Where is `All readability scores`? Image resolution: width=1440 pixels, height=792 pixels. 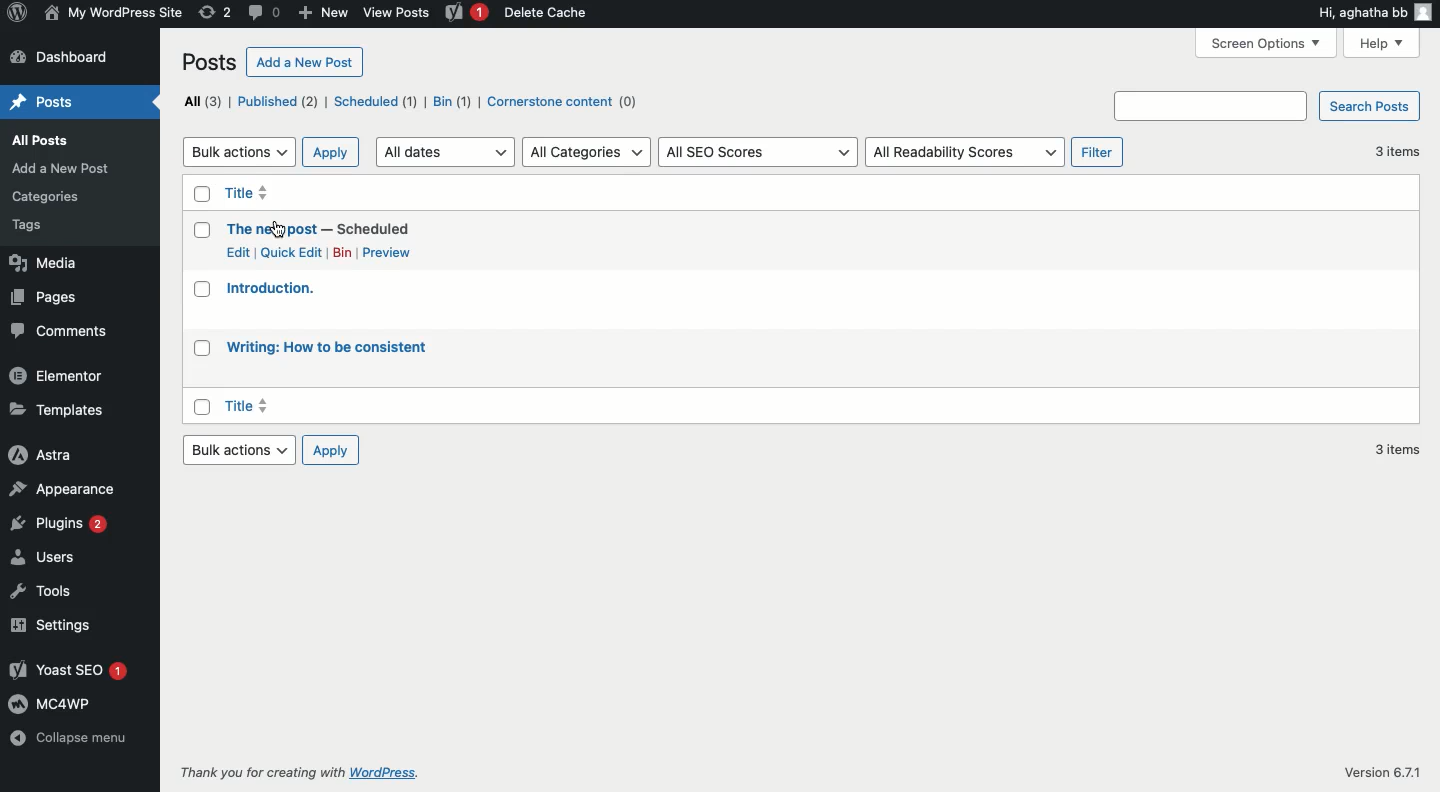
All readability scores is located at coordinates (965, 152).